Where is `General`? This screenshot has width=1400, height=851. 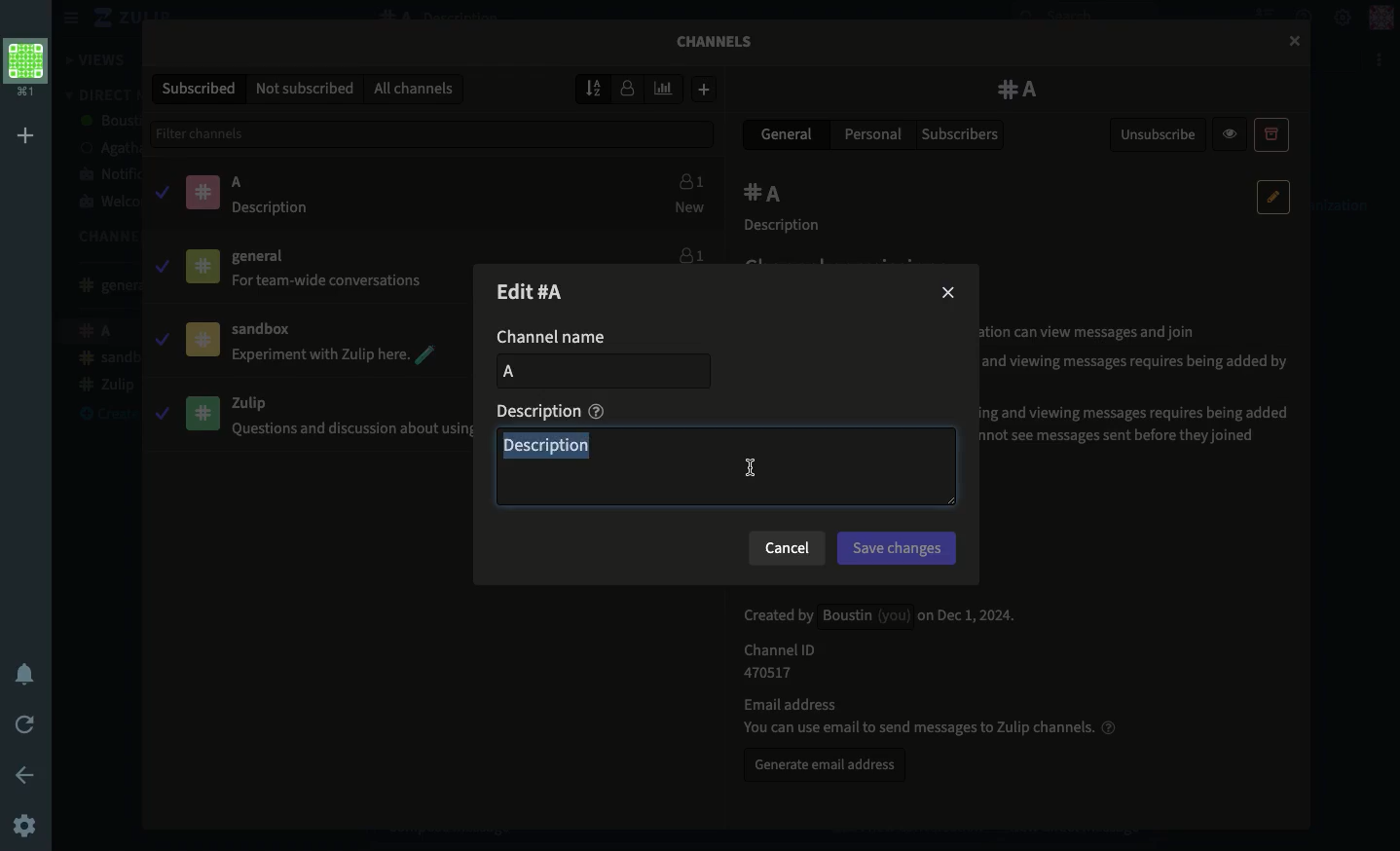
General is located at coordinates (102, 285).